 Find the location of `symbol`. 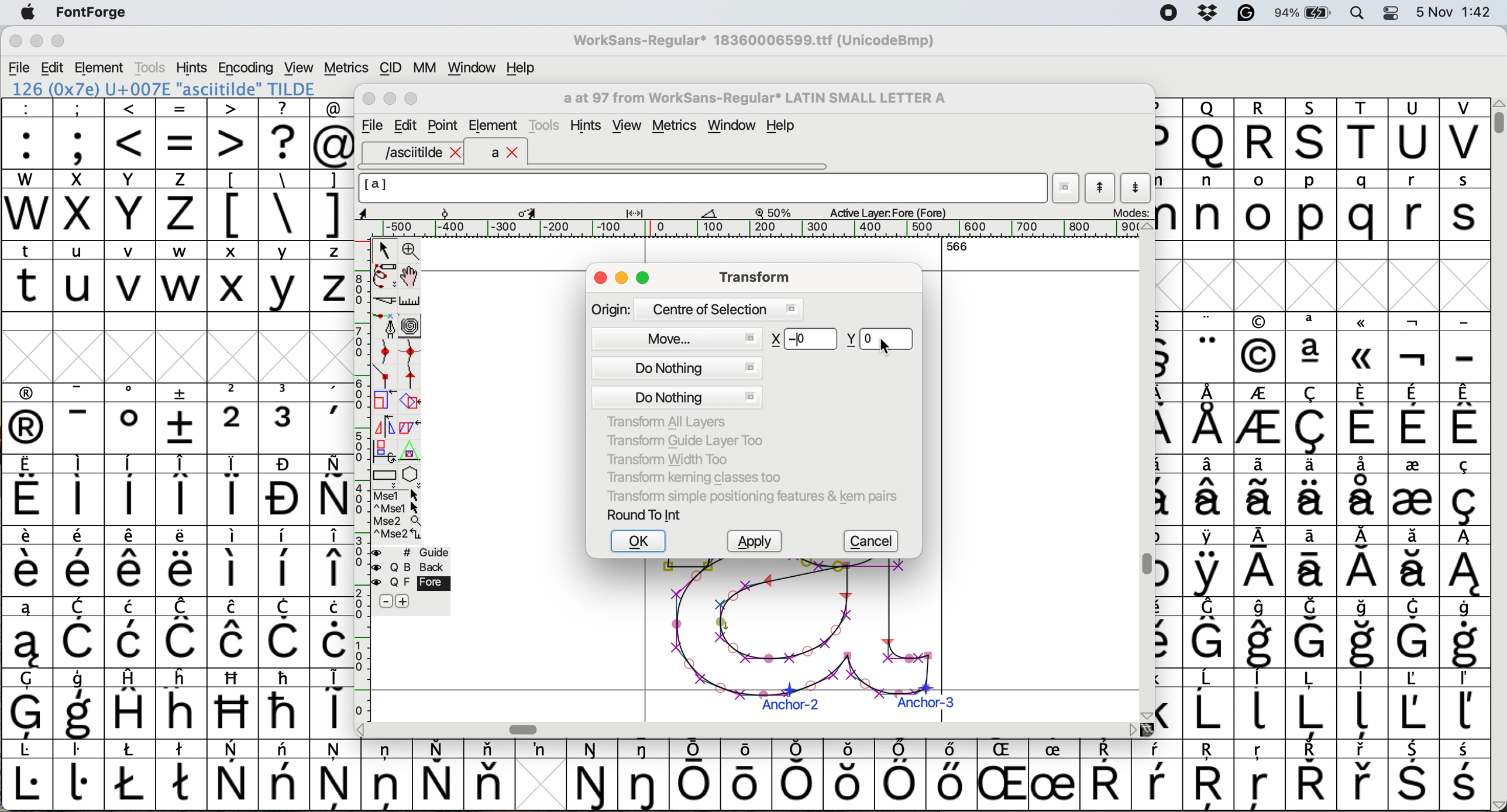

symbol is located at coordinates (1310, 775).